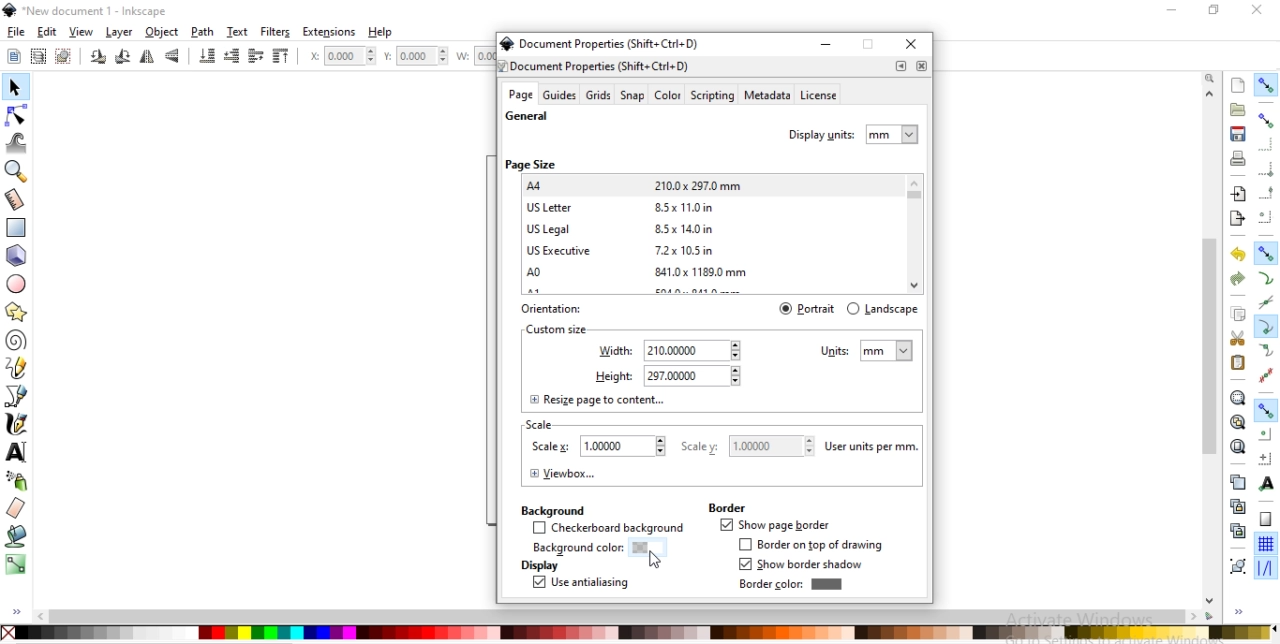 This screenshot has height=644, width=1280. What do you see at coordinates (150, 57) in the screenshot?
I see `flip horizontally` at bounding box center [150, 57].